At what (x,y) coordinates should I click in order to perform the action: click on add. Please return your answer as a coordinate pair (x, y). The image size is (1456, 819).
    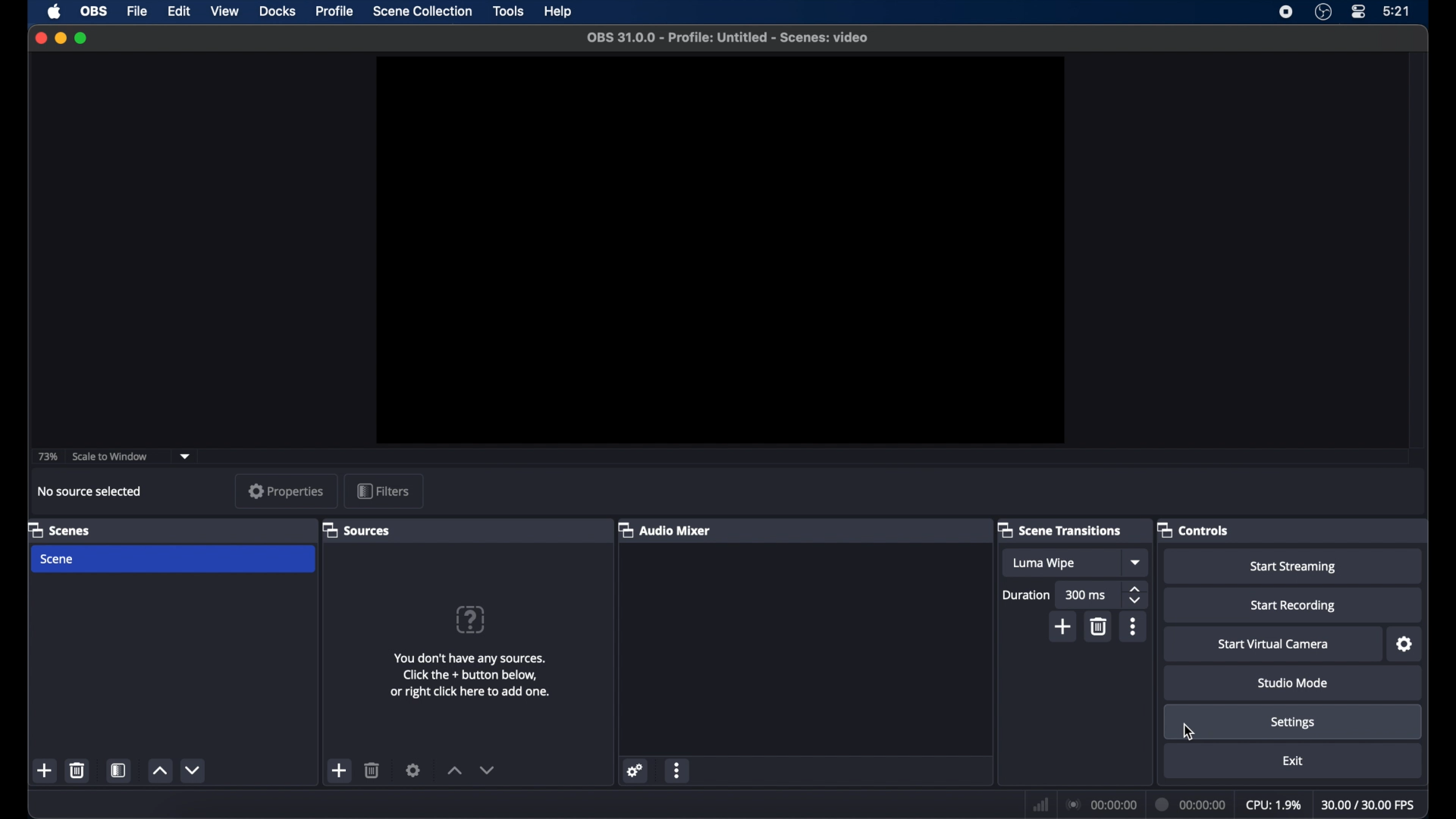
    Looking at the image, I should click on (1065, 626).